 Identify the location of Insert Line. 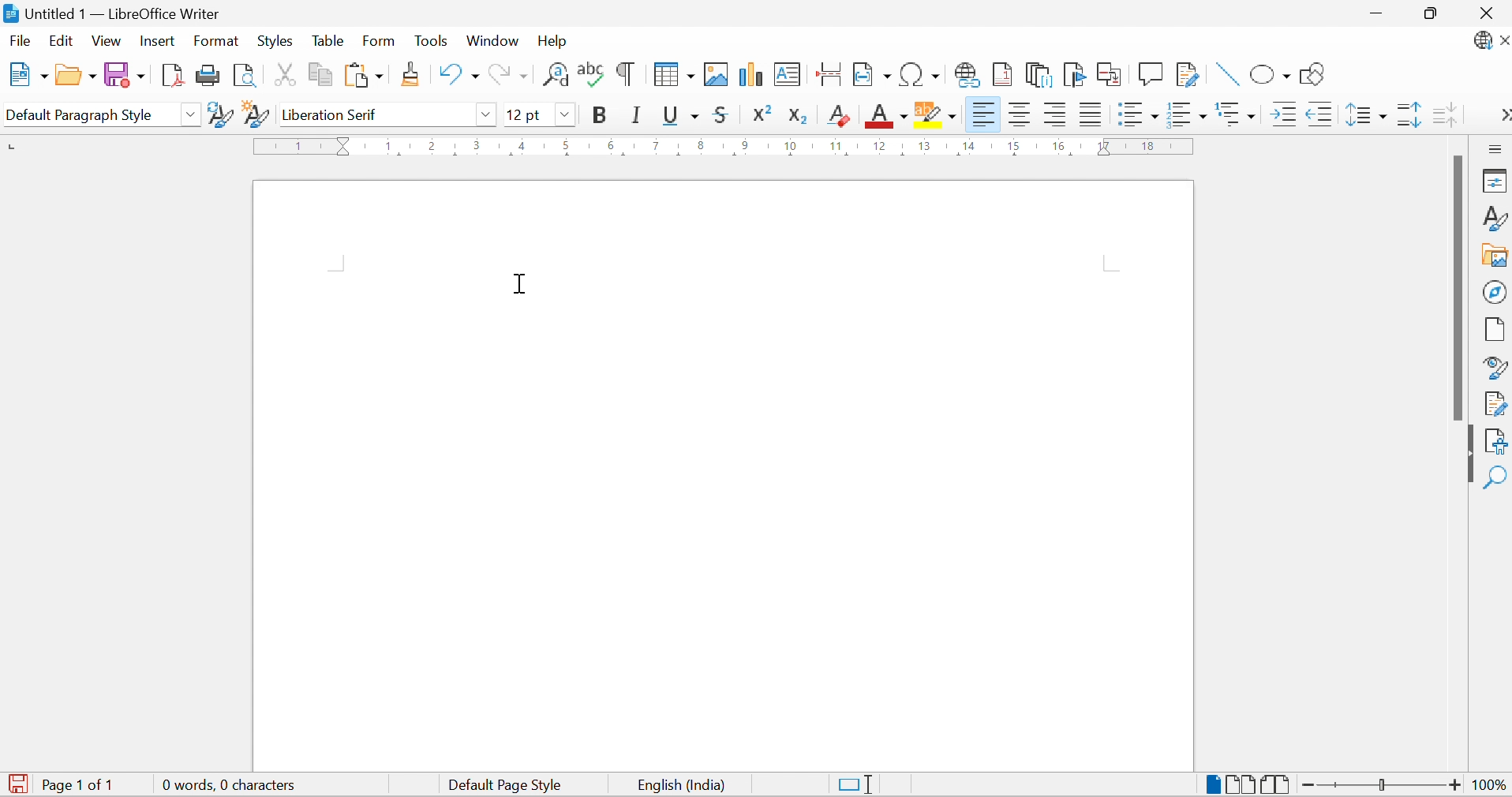
(1224, 75).